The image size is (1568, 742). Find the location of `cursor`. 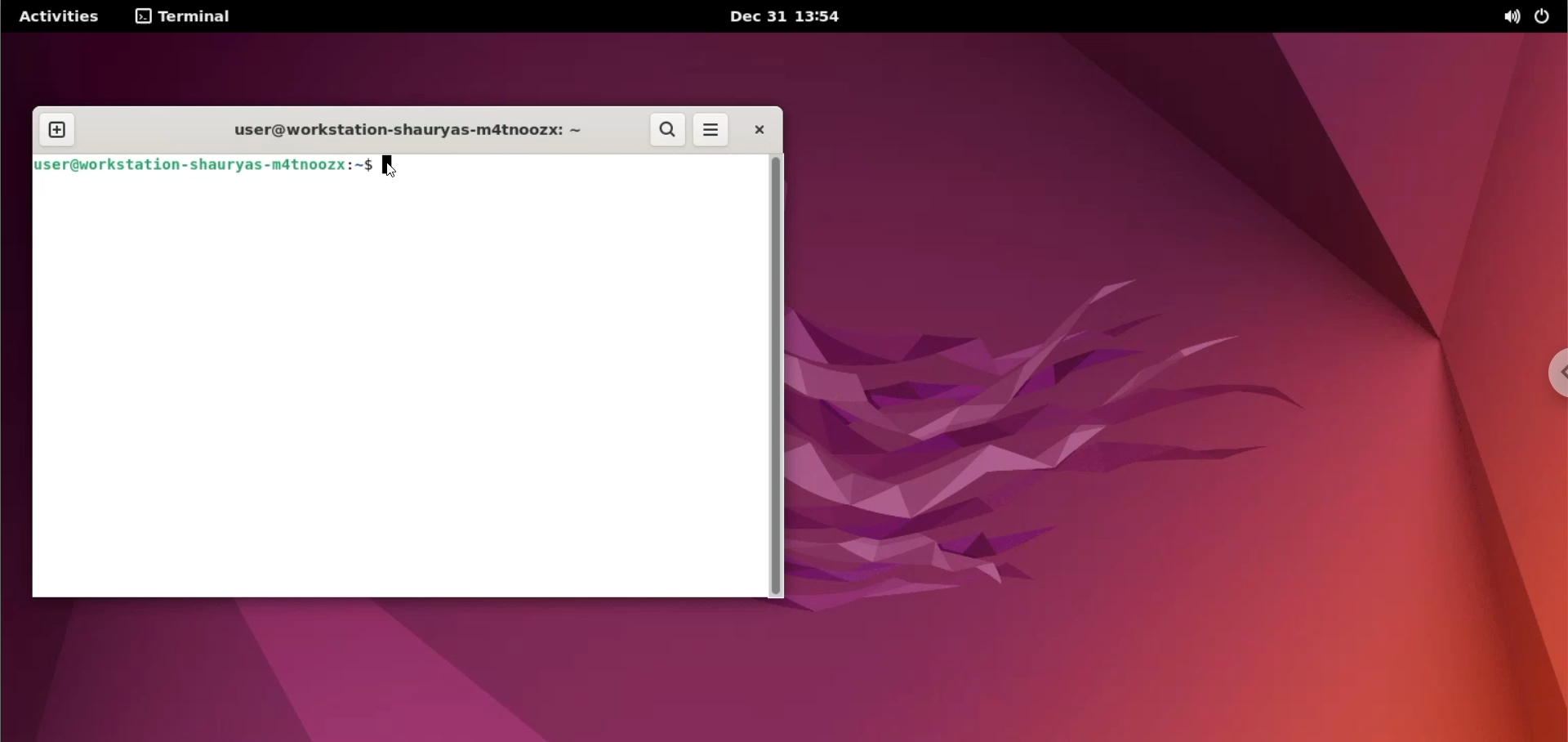

cursor is located at coordinates (390, 168).